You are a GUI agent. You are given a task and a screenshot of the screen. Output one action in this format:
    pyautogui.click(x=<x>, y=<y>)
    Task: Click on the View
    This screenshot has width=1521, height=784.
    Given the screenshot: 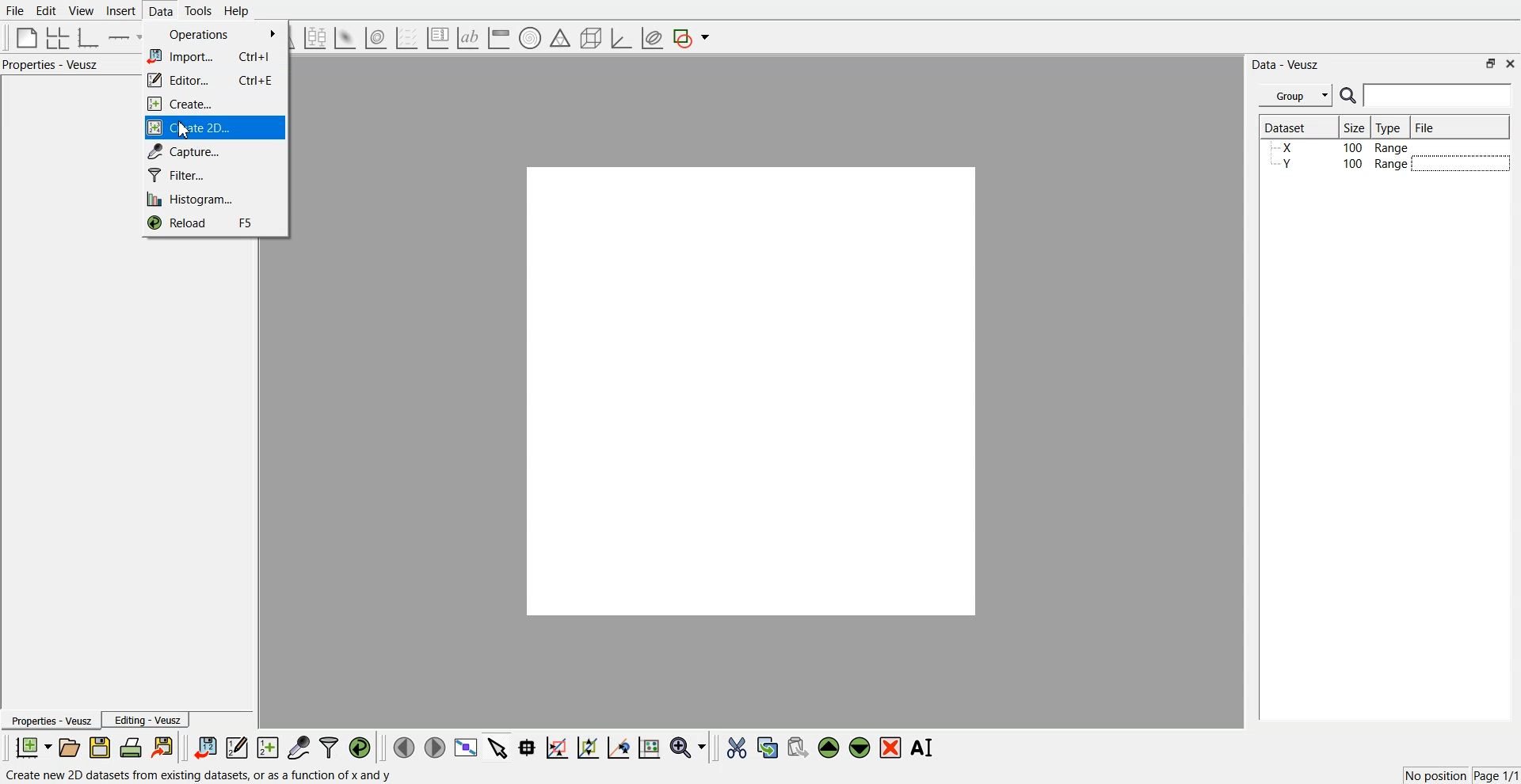 What is the action you would take?
    pyautogui.click(x=82, y=11)
    